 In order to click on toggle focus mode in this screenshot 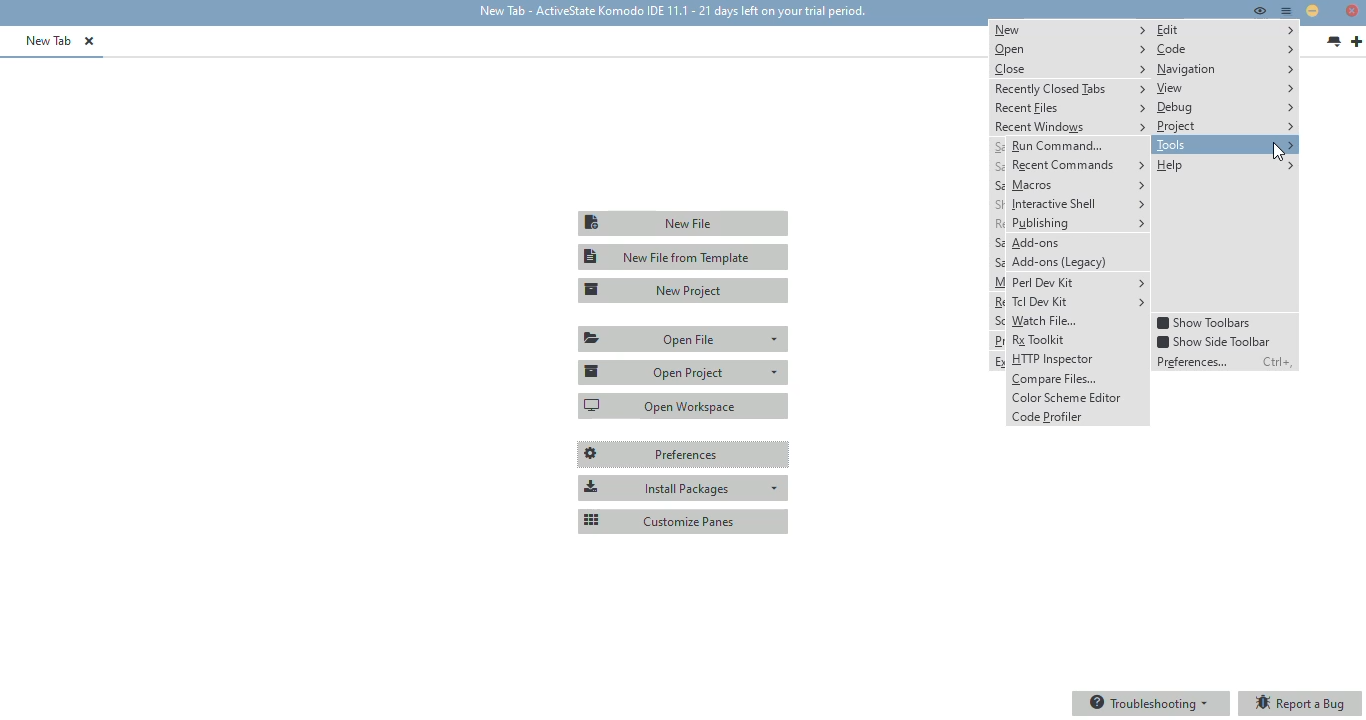, I will do `click(1259, 10)`.